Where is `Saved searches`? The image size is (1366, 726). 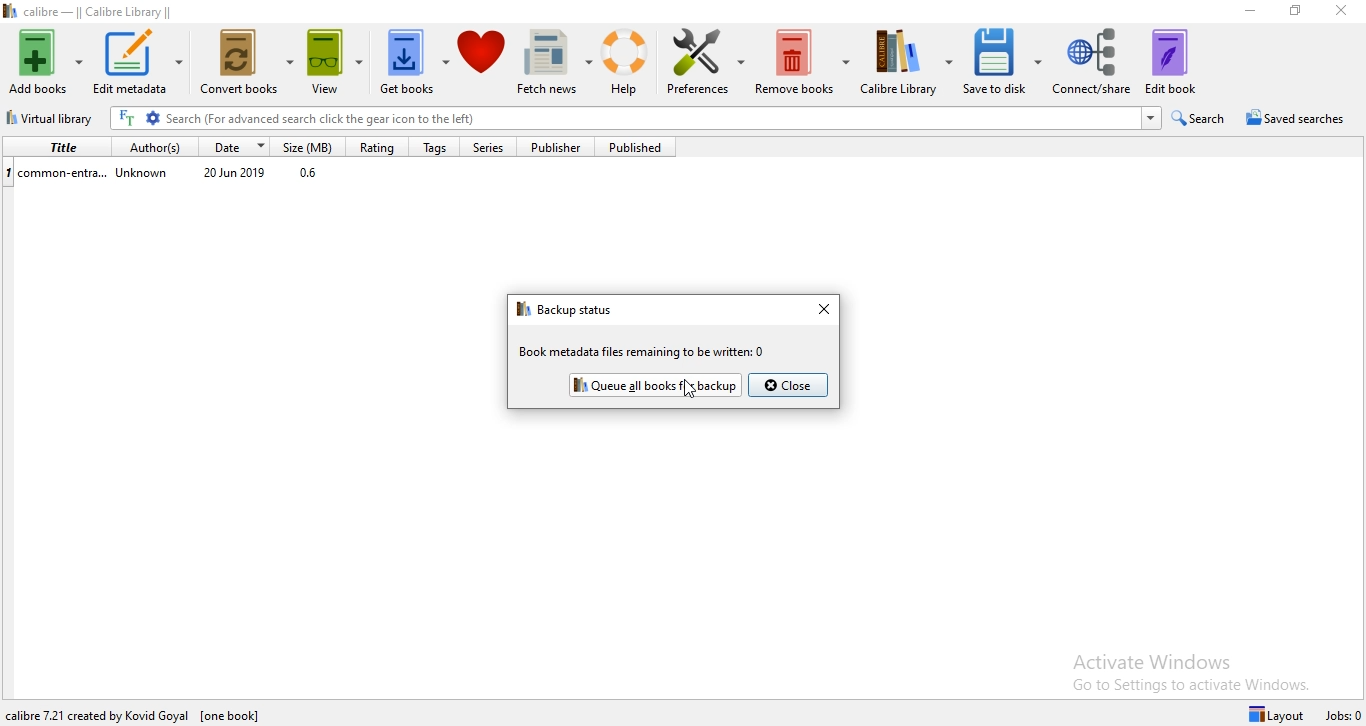 Saved searches is located at coordinates (1300, 119).